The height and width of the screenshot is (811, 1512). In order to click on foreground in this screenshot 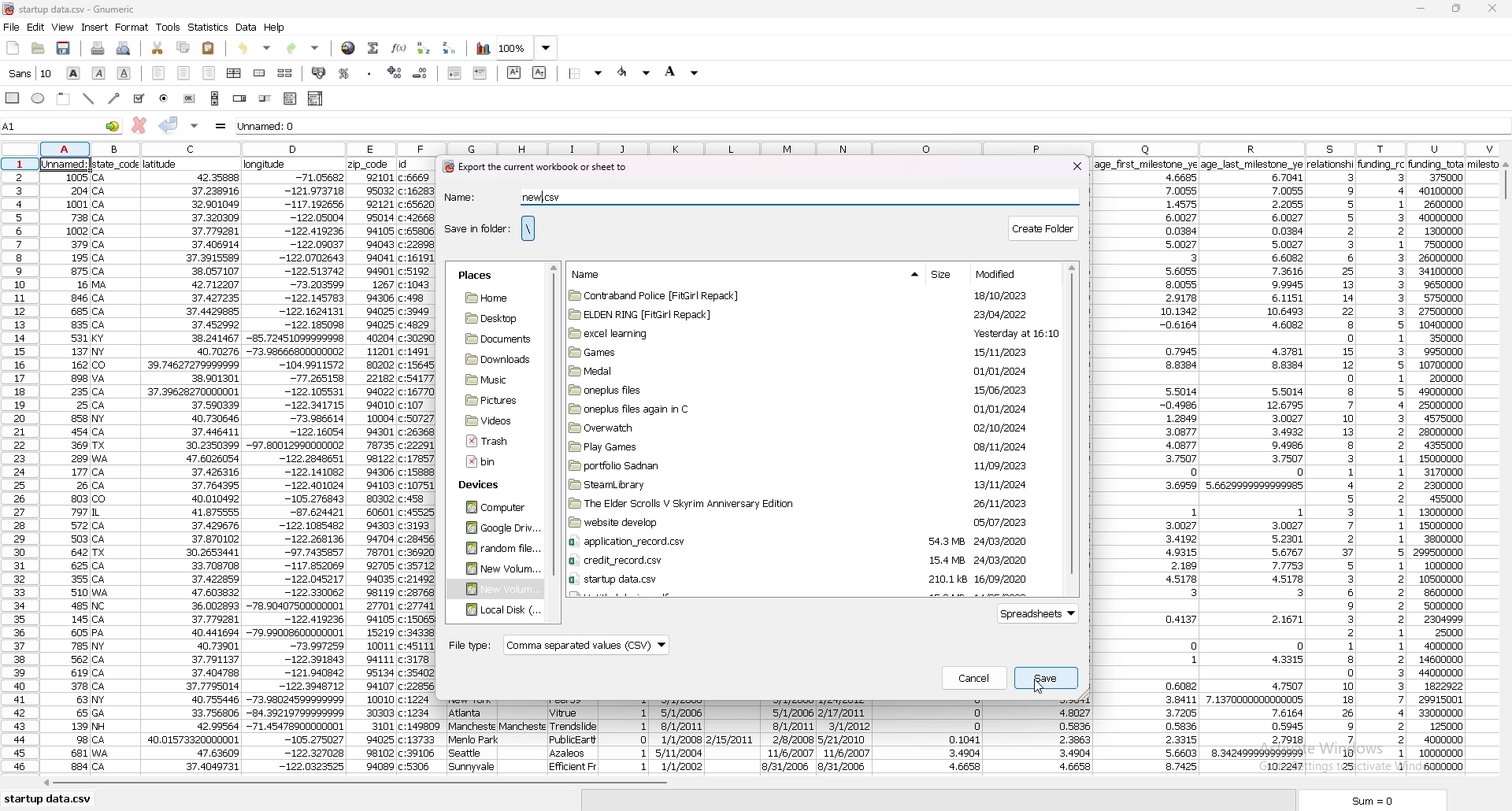, I will do `click(635, 72)`.